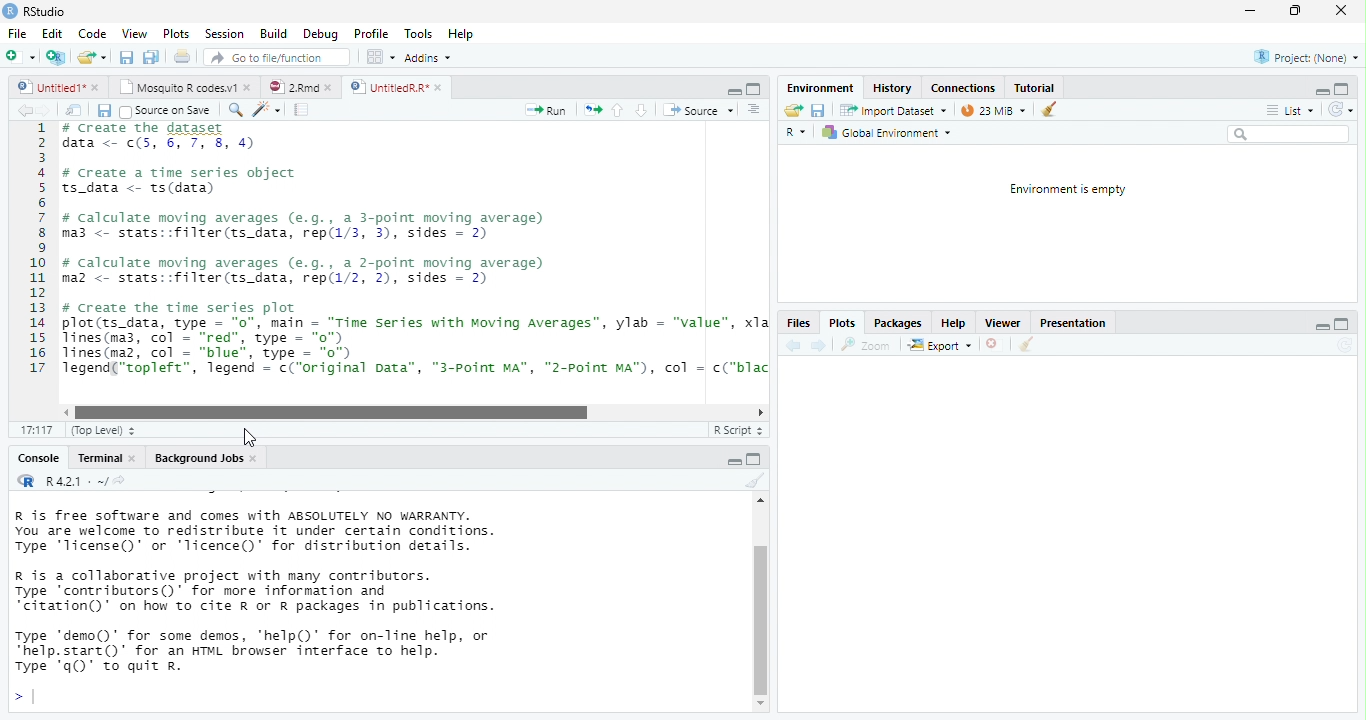  What do you see at coordinates (734, 92) in the screenshot?
I see `minimize` at bounding box center [734, 92].